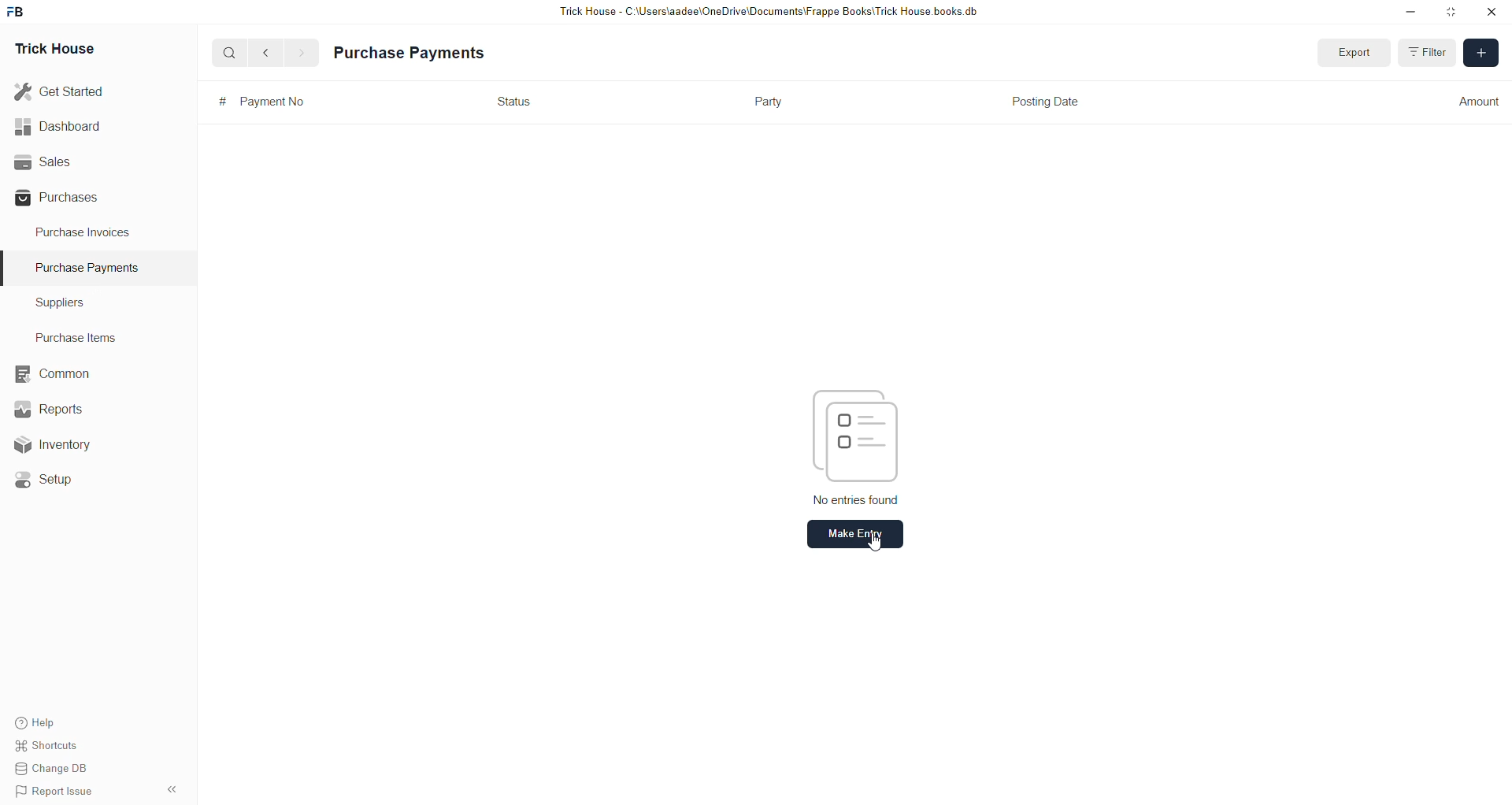 The height and width of the screenshot is (805, 1512). I want to click on Sales, so click(45, 161).